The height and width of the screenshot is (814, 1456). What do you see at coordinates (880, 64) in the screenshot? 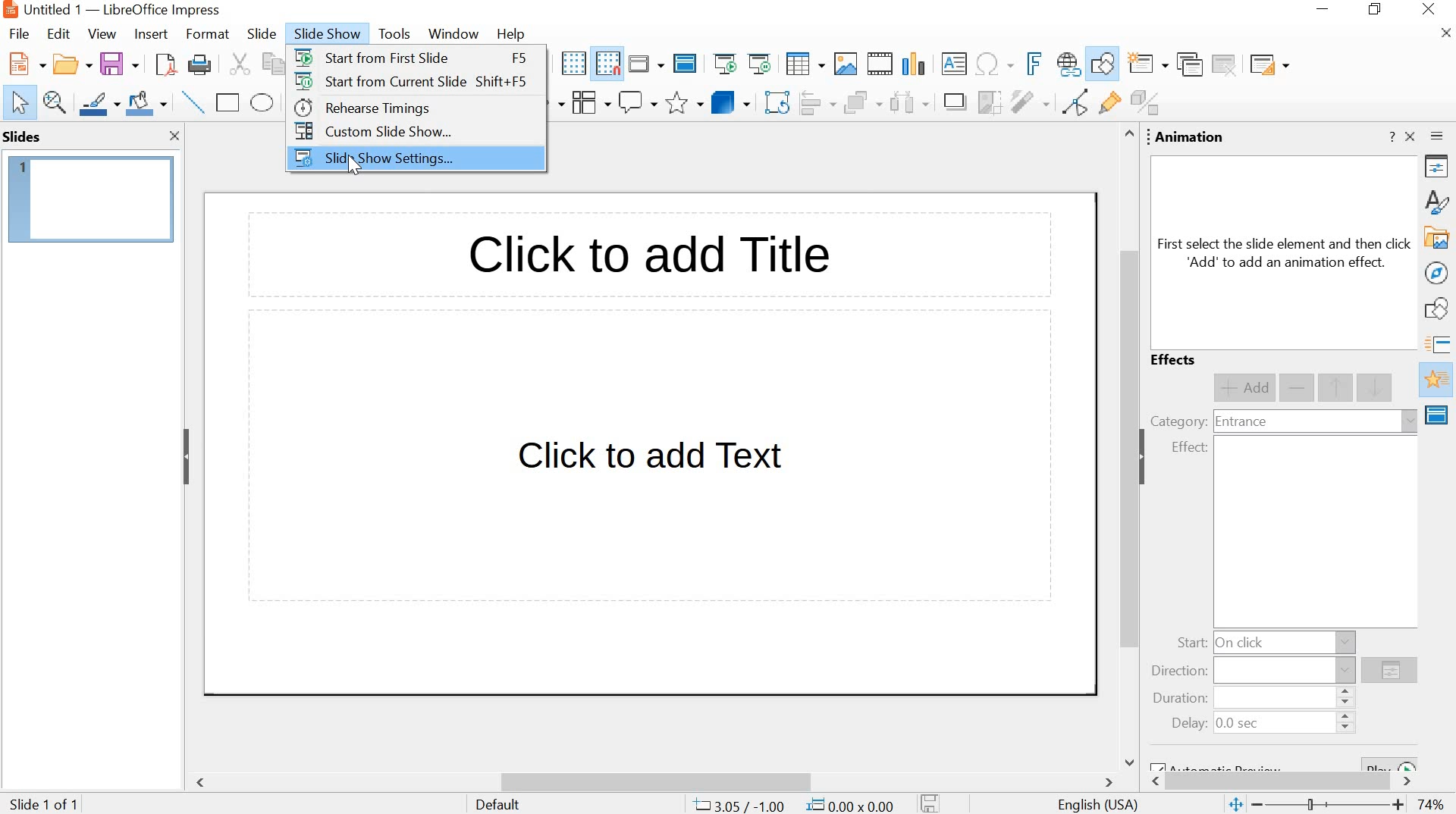
I see `insert video` at bounding box center [880, 64].